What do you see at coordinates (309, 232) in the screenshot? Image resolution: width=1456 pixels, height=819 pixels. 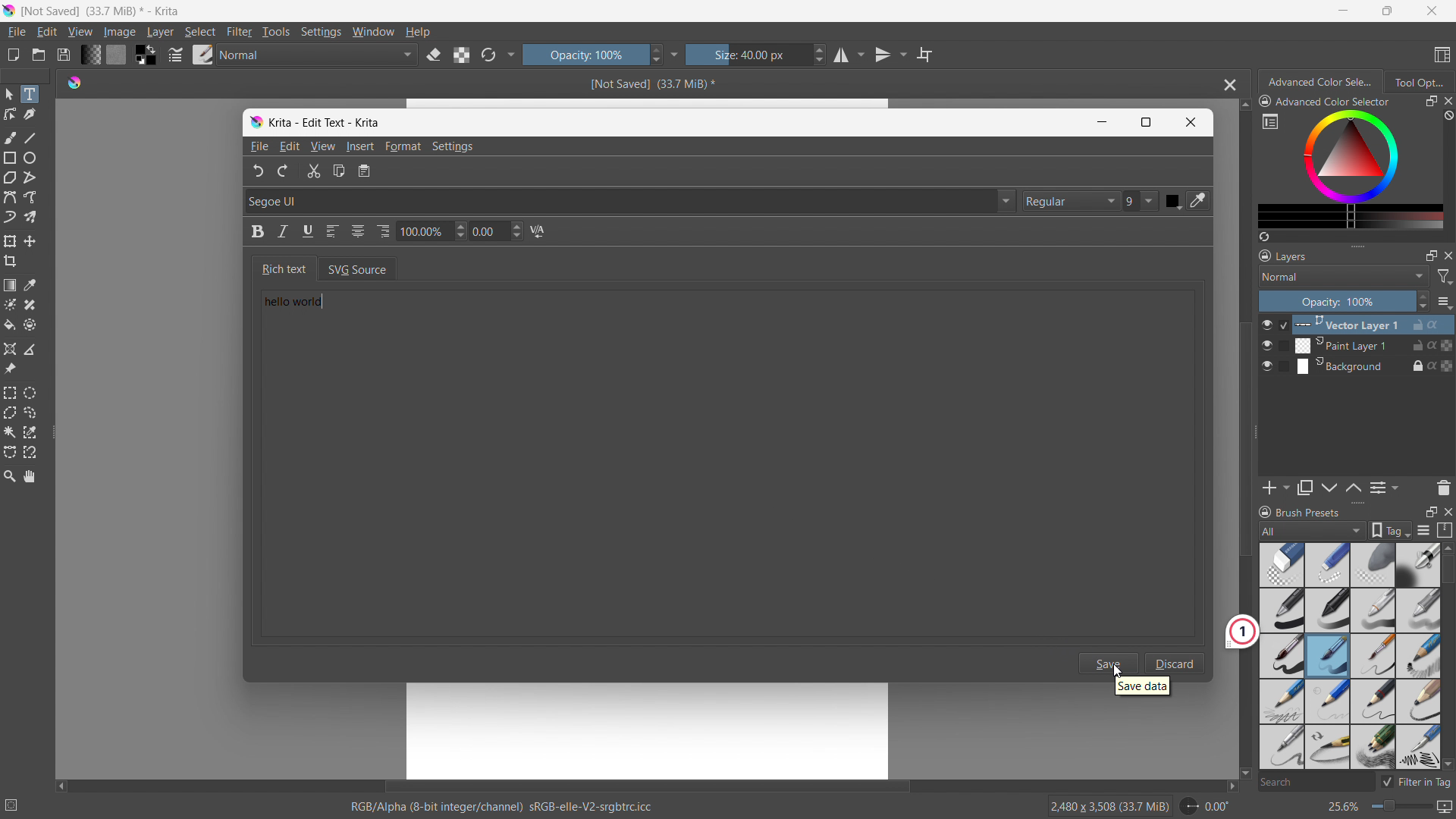 I see `Underline` at bounding box center [309, 232].